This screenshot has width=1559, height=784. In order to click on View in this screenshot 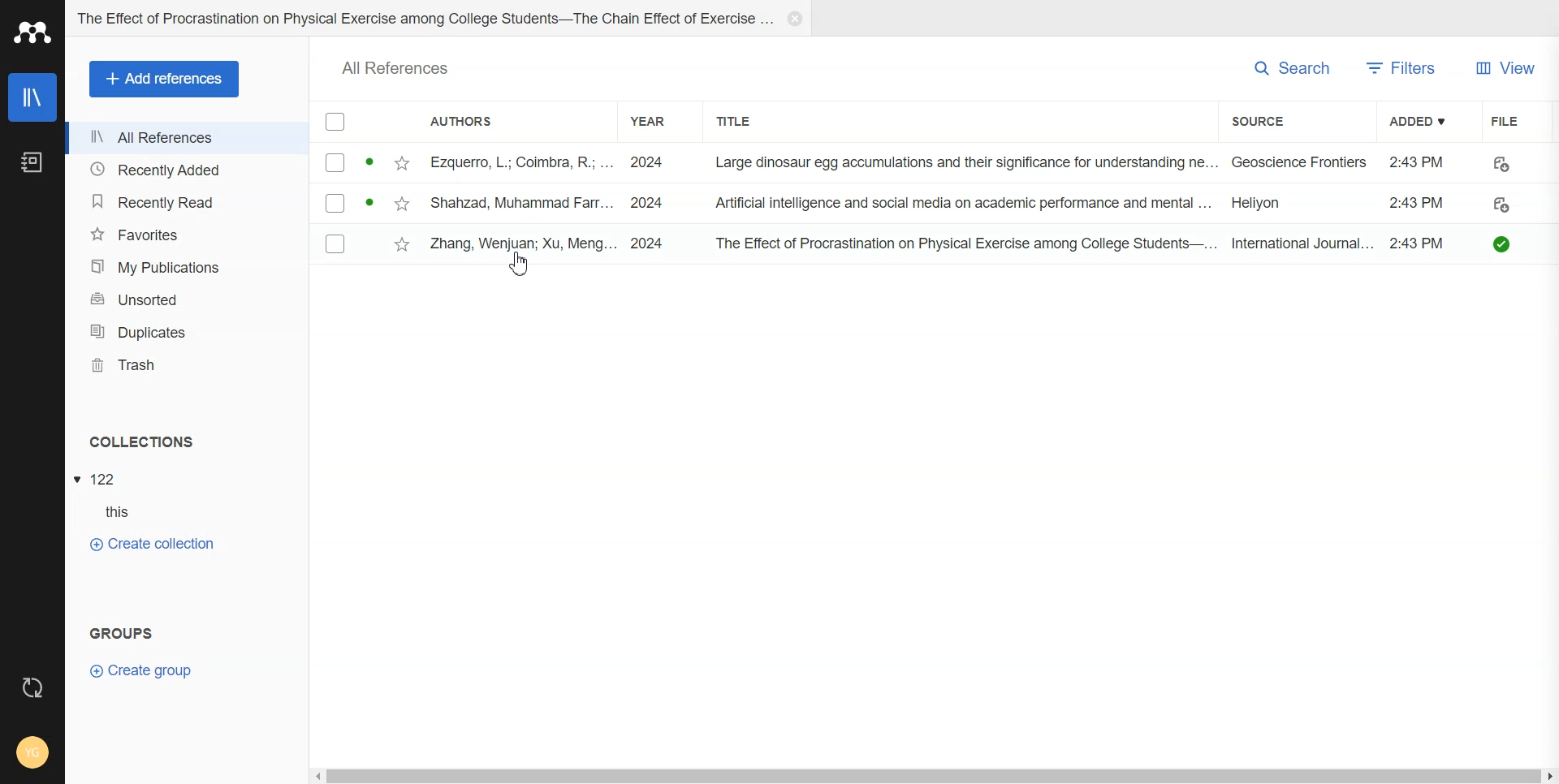, I will do `click(1509, 67)`.